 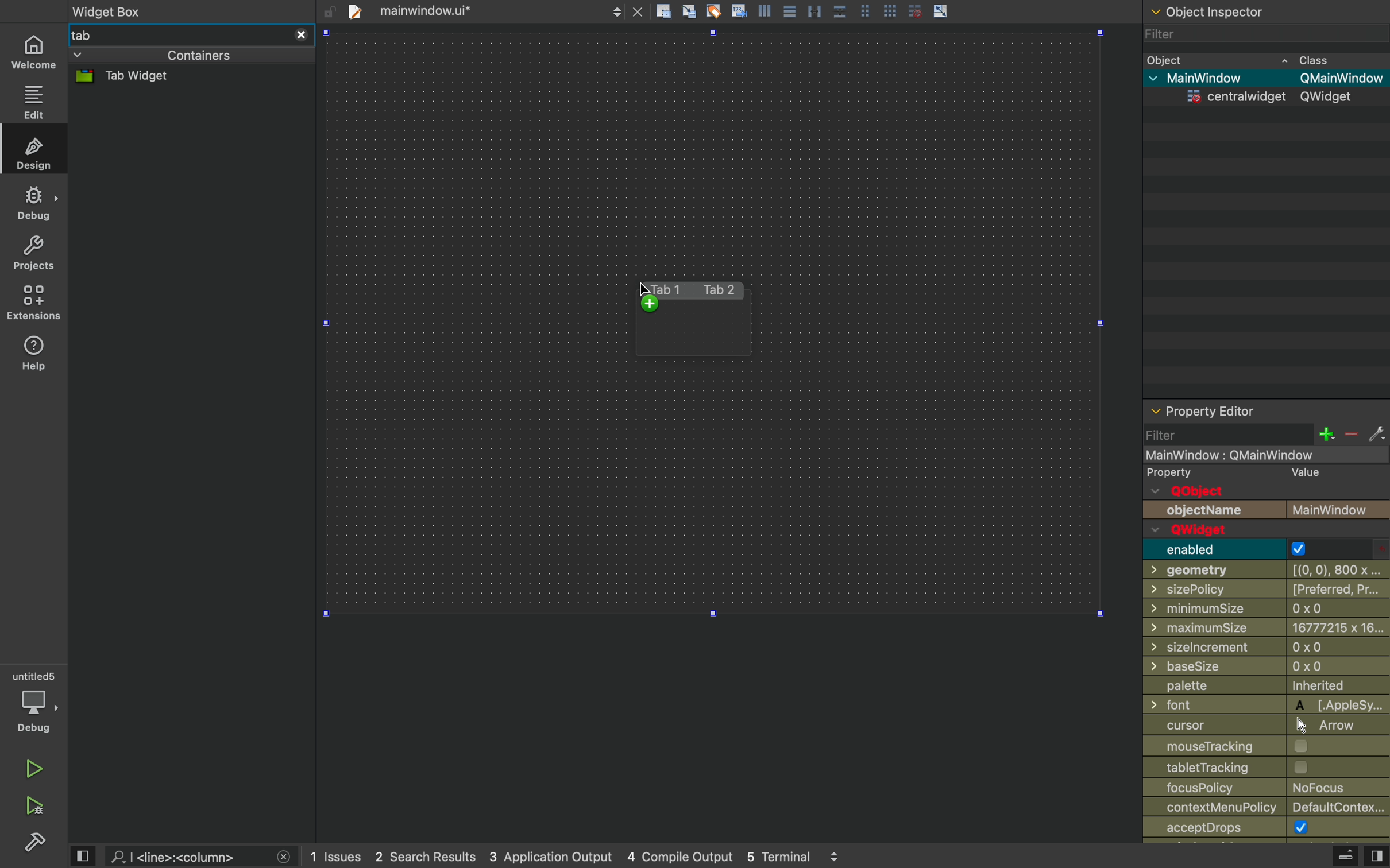 I want to click on help, so click(x=33, y=354).